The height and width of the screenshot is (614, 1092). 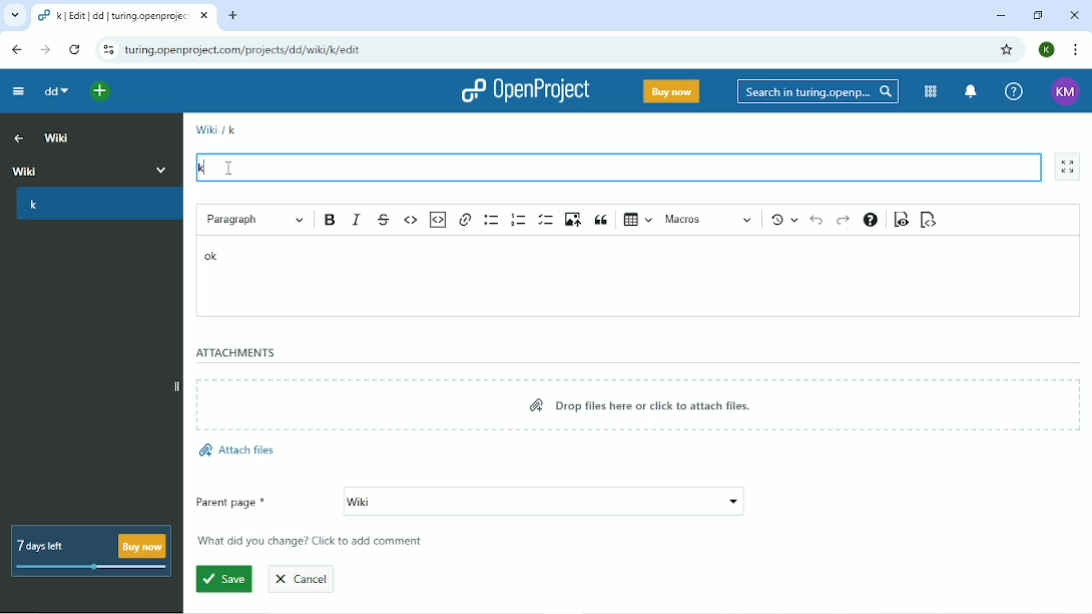 I want to click on Search, so click(x=817, y=91).